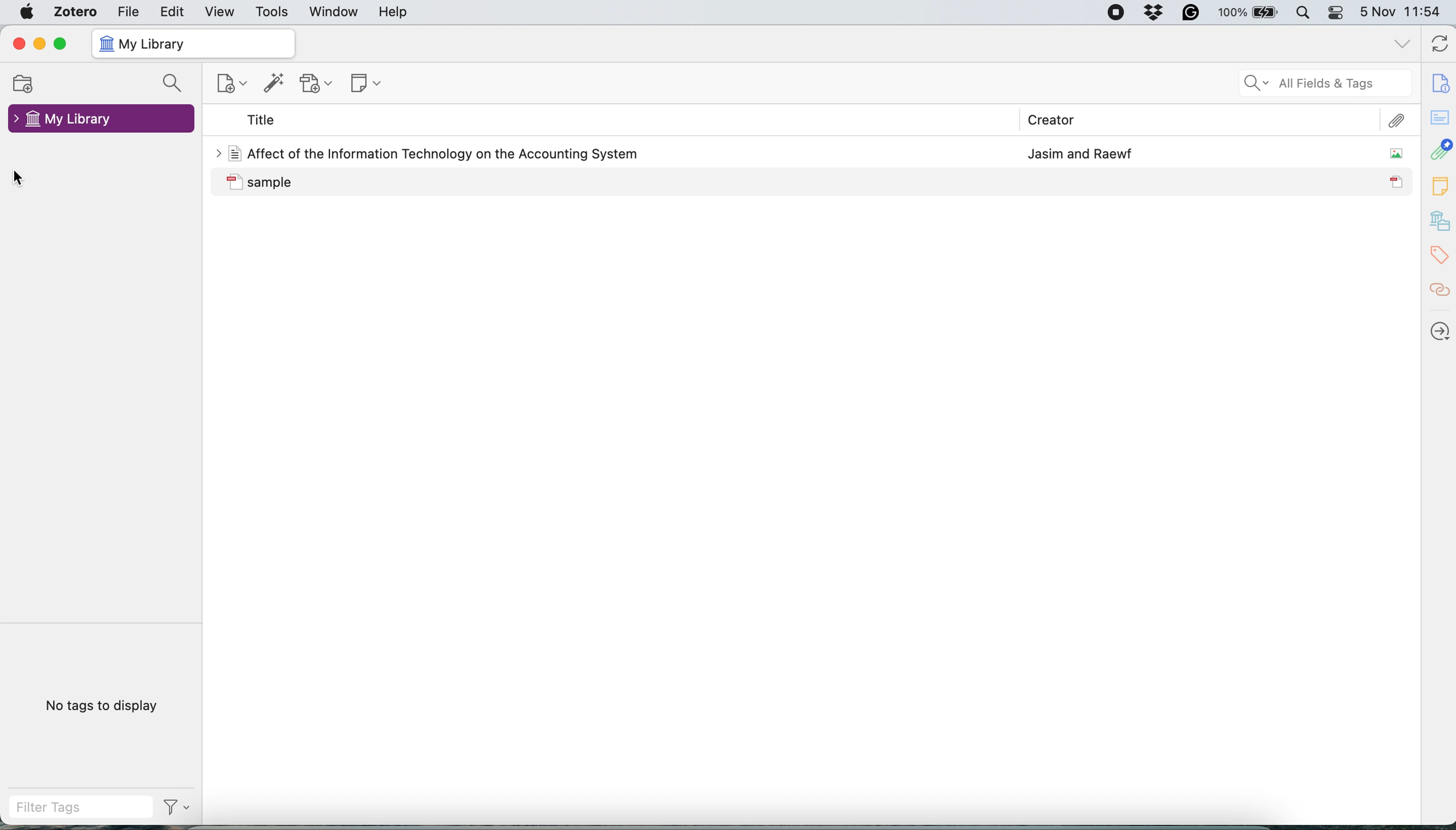 The image size is (1456, 830). I want to click on battery, so click(1245, 11).